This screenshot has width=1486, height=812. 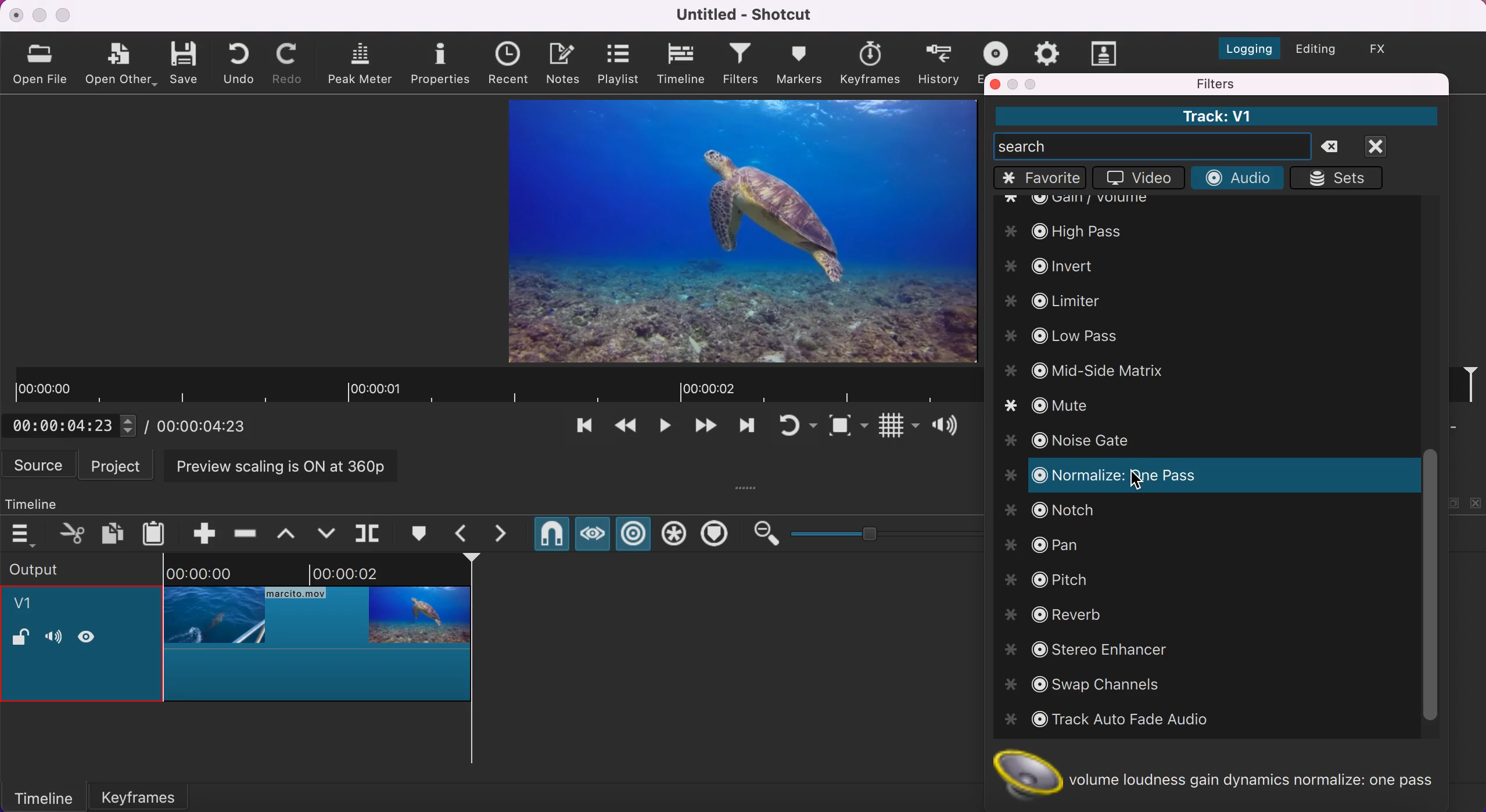 I want to click on video, so click(x=1136, y=178).